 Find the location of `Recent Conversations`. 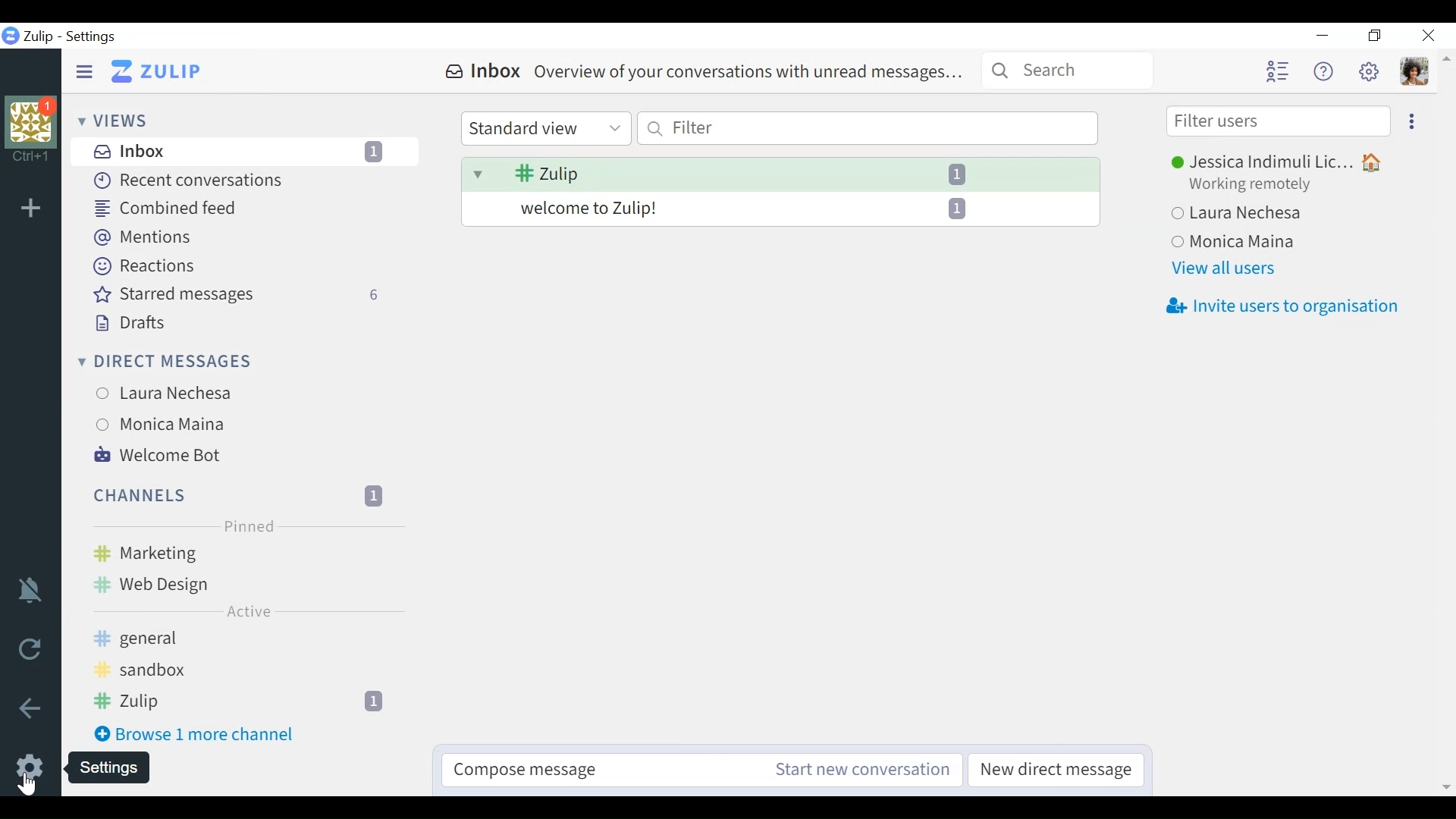

Recent Conversations is located at coordinates (192, 181).